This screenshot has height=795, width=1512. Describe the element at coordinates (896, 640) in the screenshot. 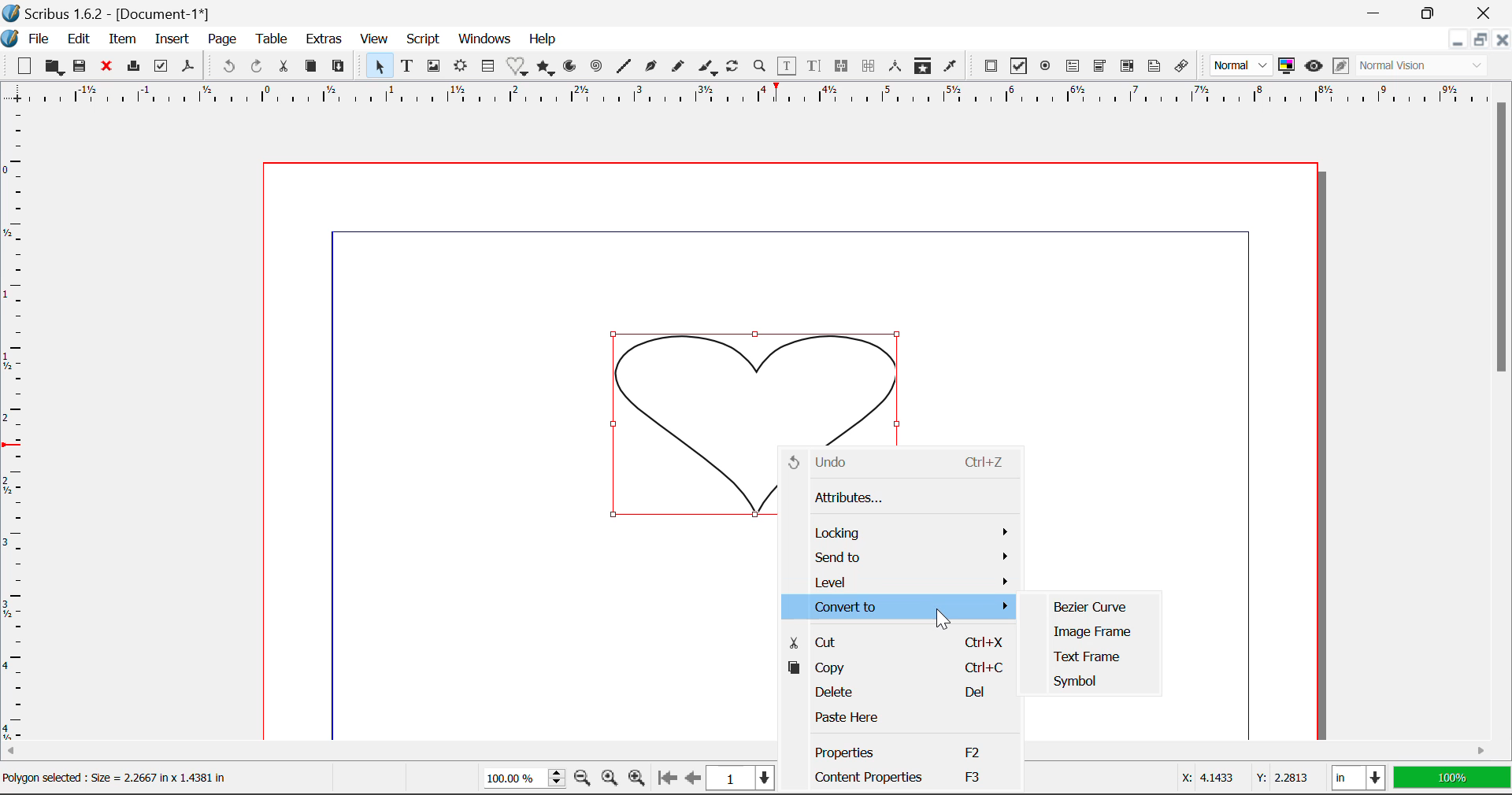

I see `Cut` at that location.